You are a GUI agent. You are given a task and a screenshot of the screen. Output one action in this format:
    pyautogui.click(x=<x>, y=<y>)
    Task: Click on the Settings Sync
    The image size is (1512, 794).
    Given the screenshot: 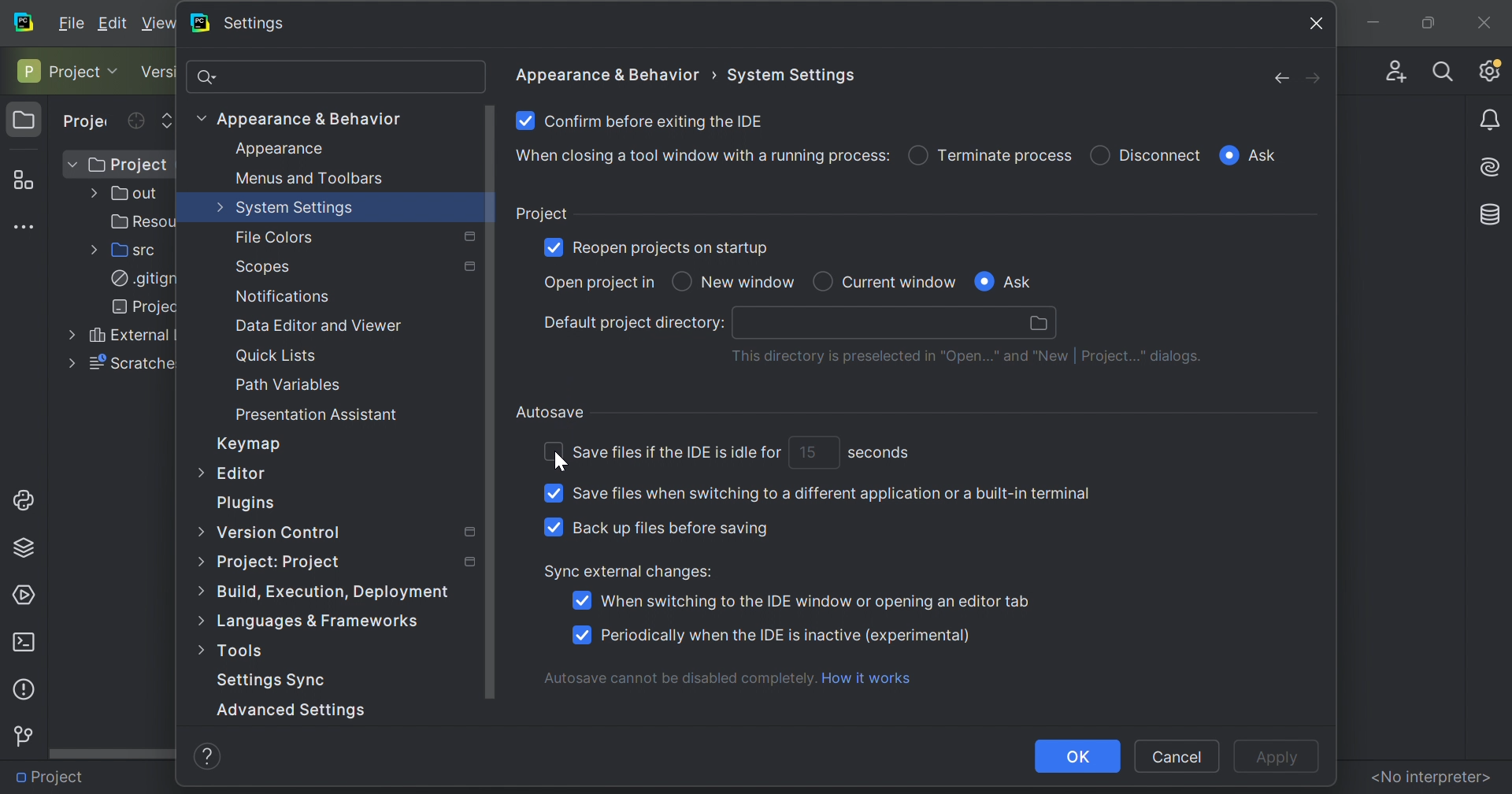 What is the action you would take?
    pyautogui.click(x=273, y=681)
    